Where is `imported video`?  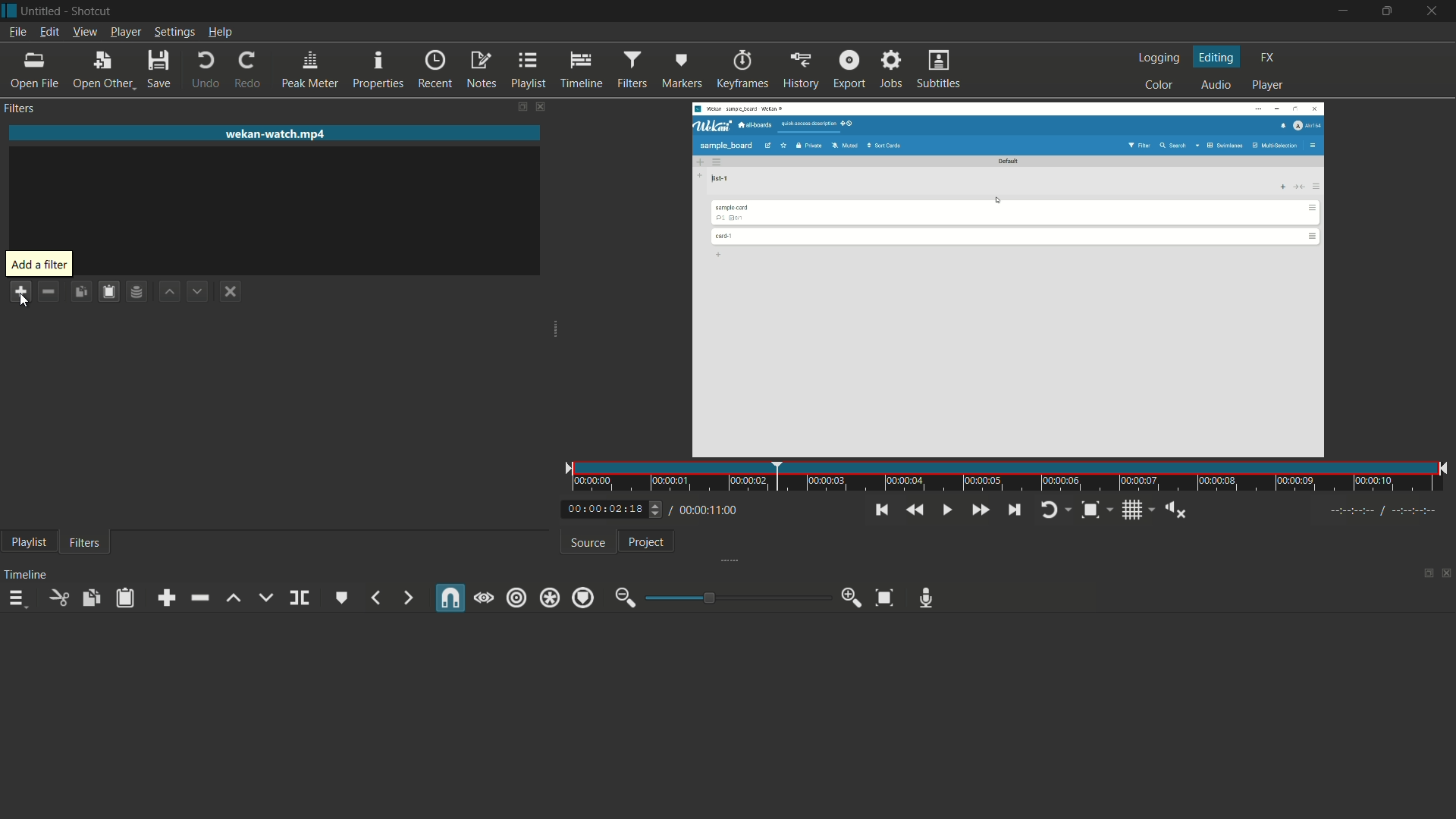
imported video is located at coordinates (1012, 279).